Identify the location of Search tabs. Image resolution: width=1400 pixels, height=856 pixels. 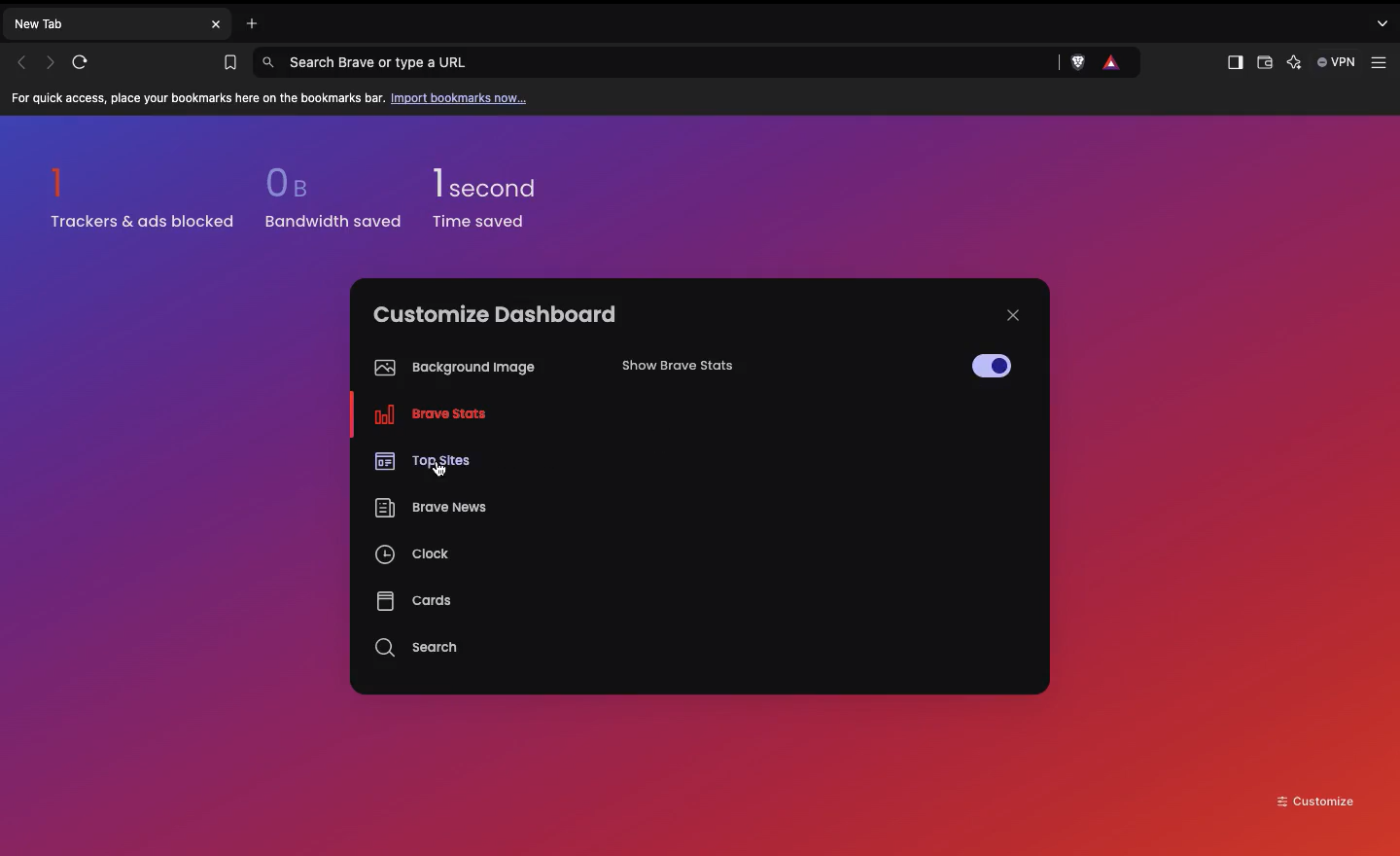
(1385, 22).